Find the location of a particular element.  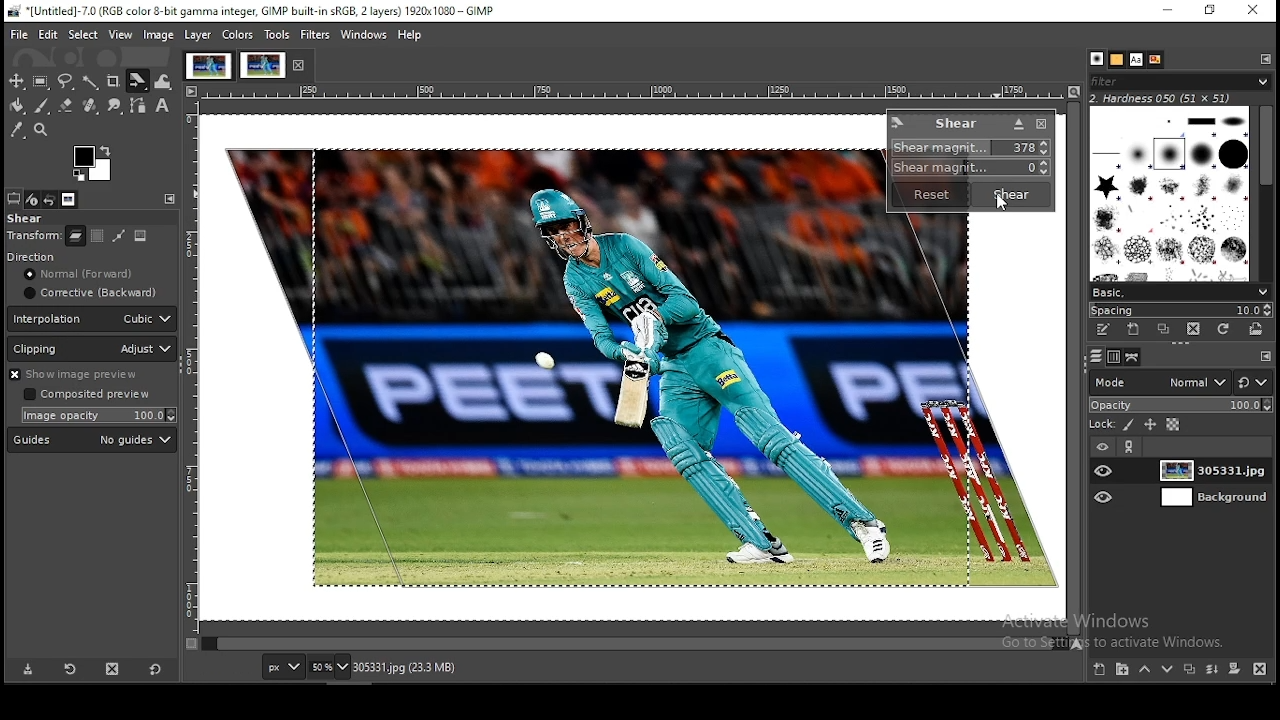

undo history is located at coordinates (52, 199).